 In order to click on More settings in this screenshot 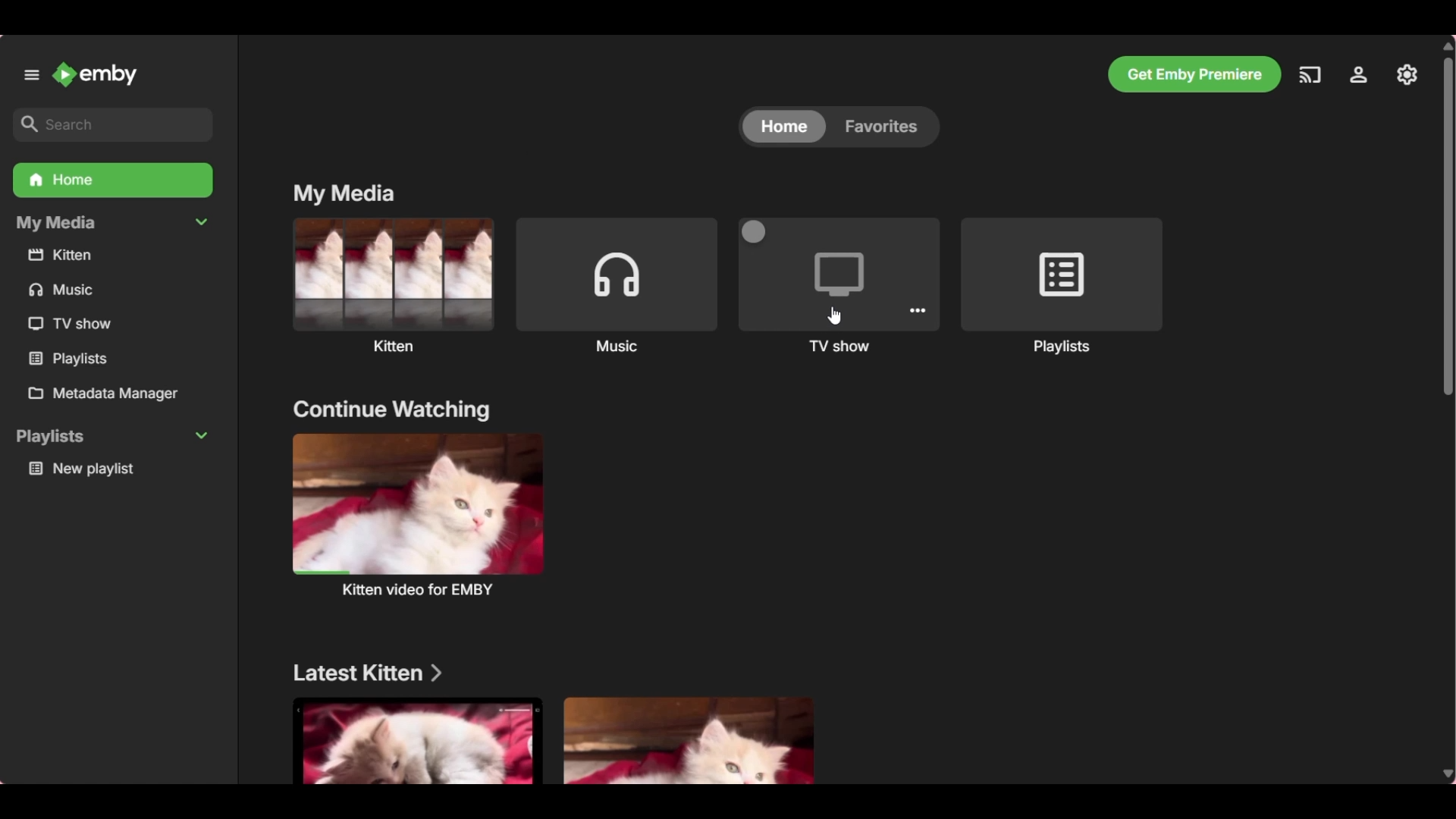, I will do `click(918, 310)`.